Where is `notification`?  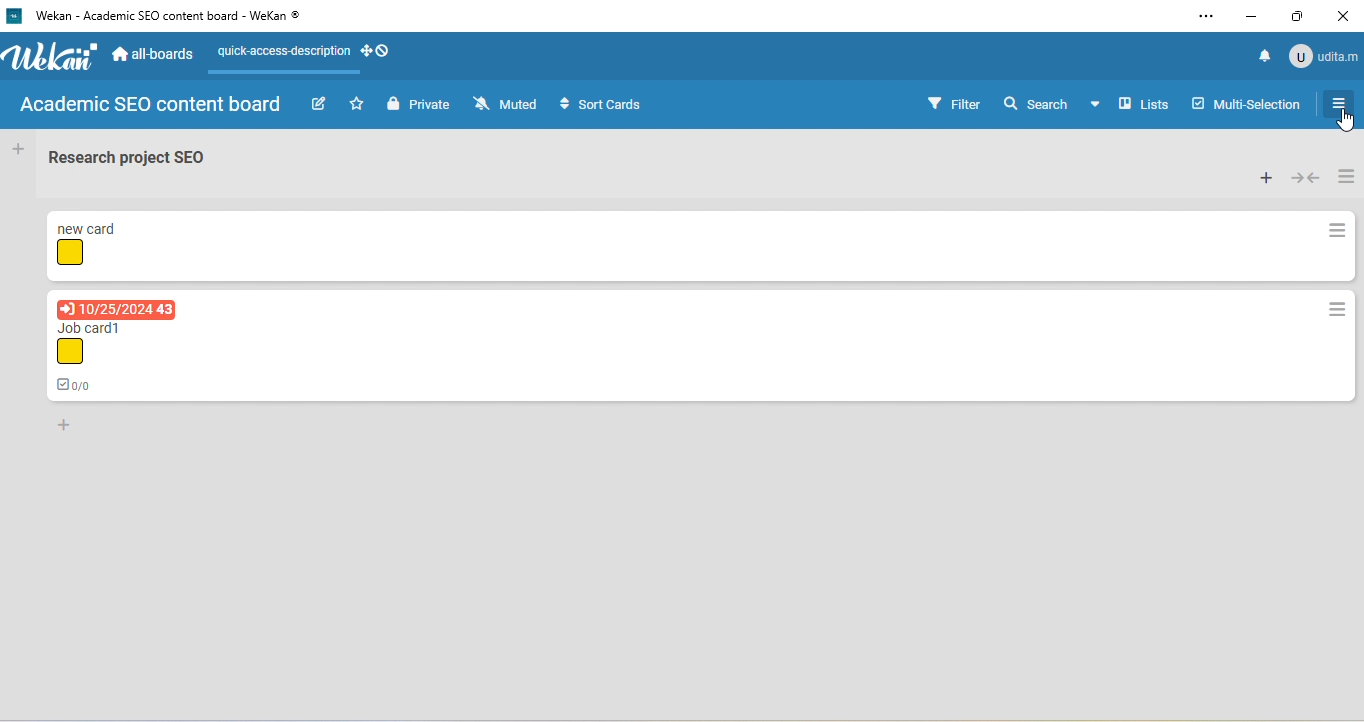
notification is located at coordinates (1260, 60).